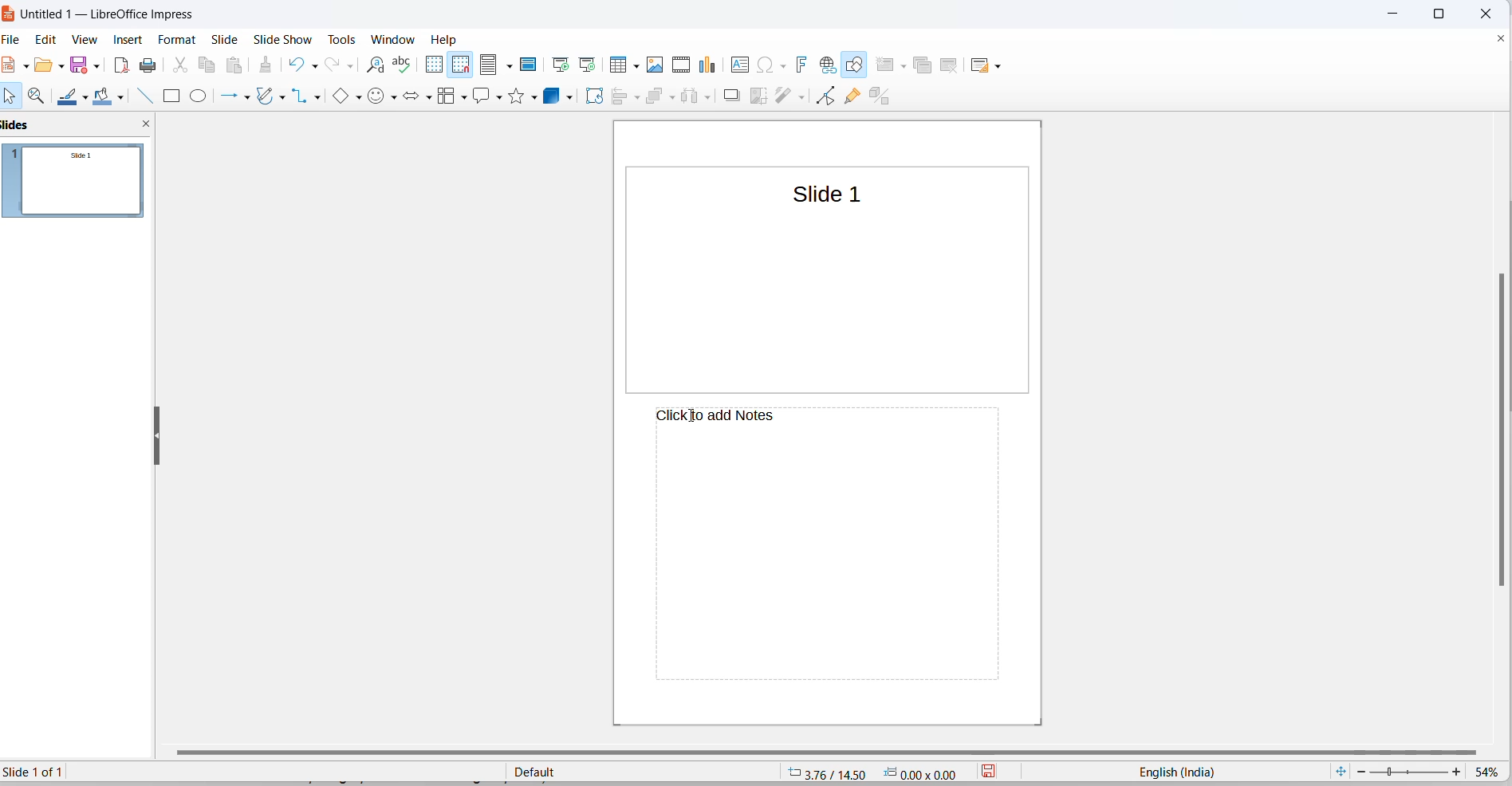 Image resolution: width=1512 pixels, height=786 pixels. What do you see at coordinates (765, 65) in the screenshot?
I see `insert special characters` at bounding box center [765, 65].